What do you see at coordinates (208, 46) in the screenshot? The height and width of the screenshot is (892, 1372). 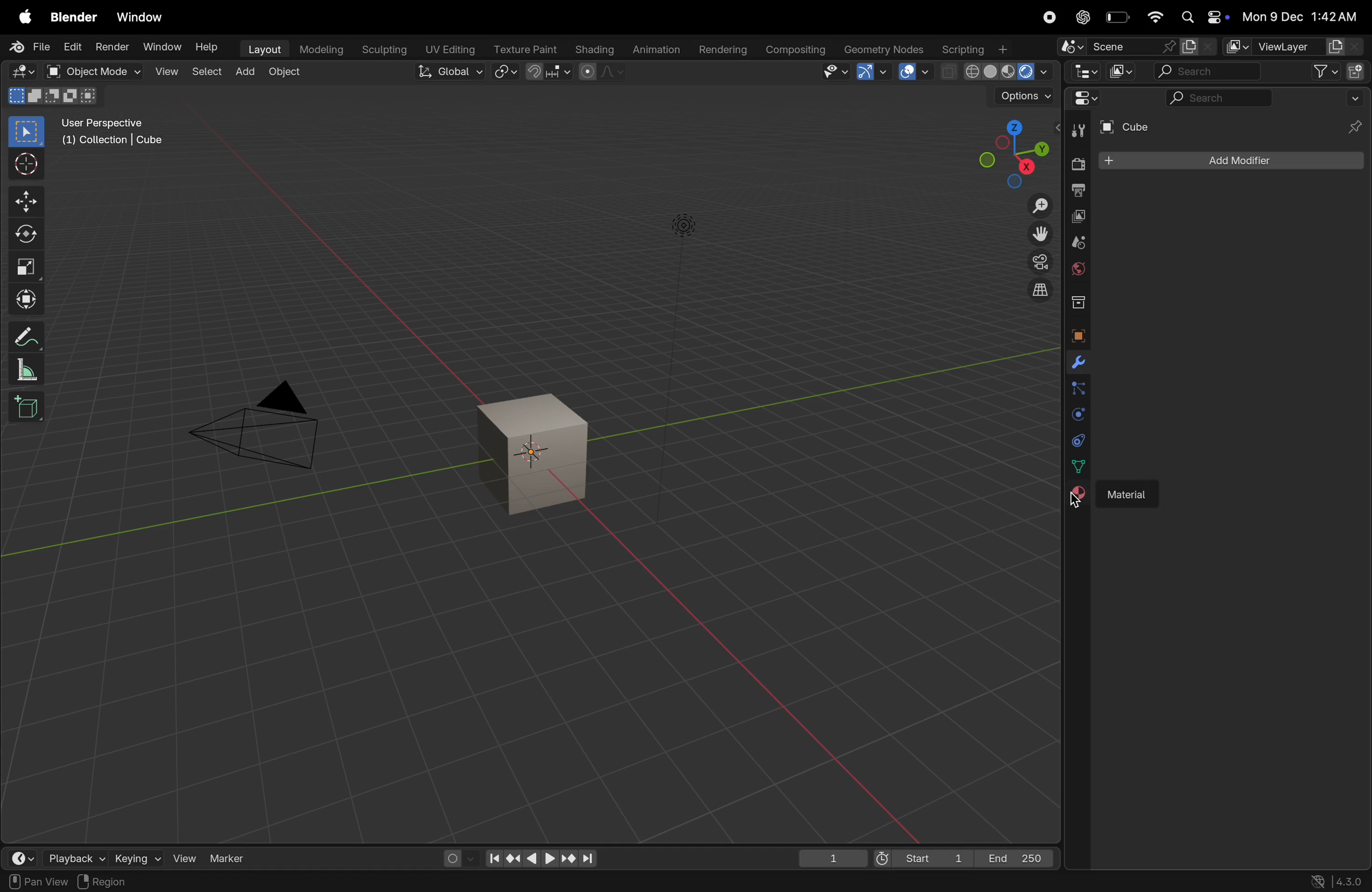 I see `Help` at bounding box center [208, 46].